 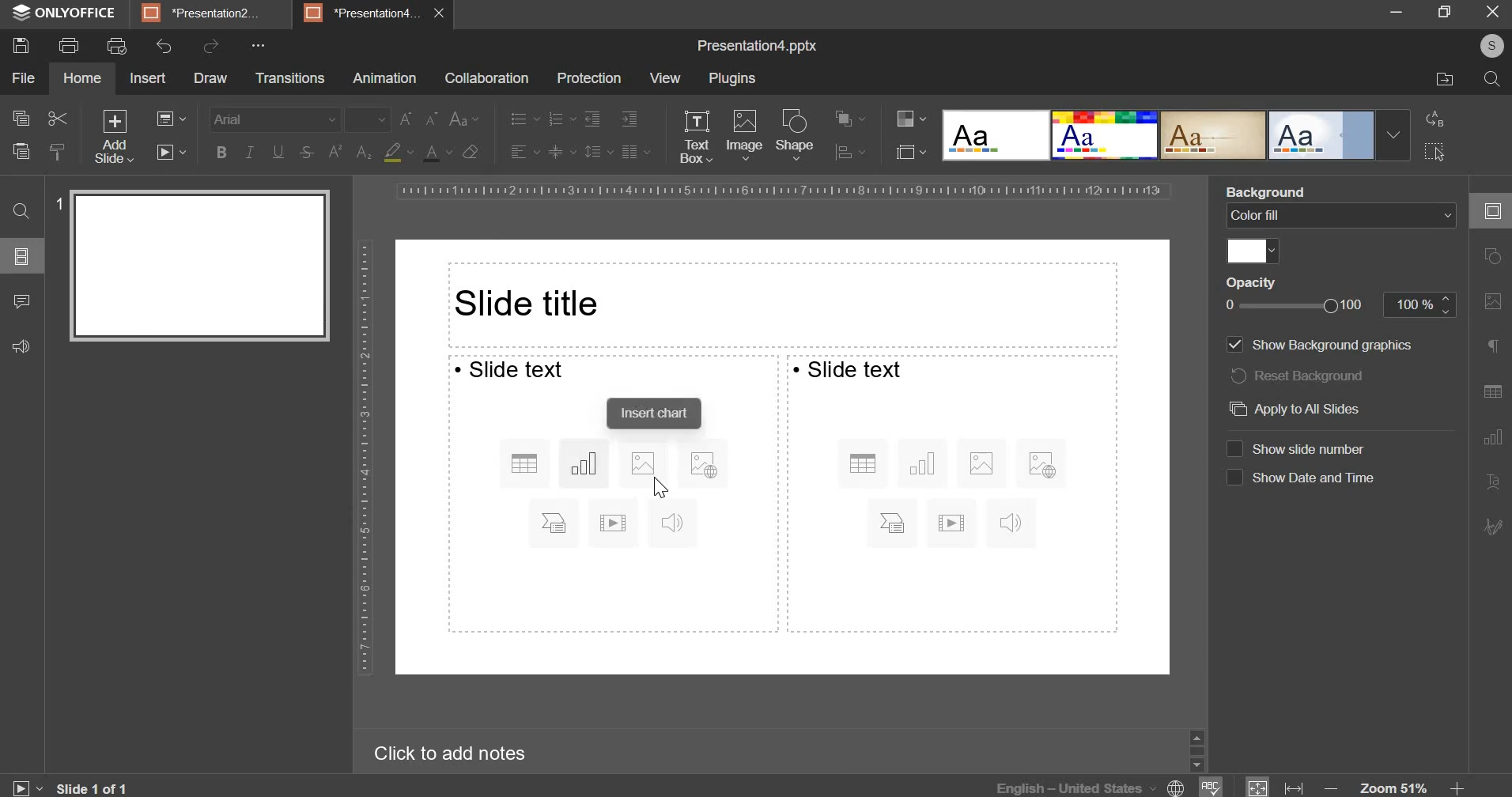 What do you see at coordinates (486, 80) in the screenshot?
I see `collaboration` at bounding box center [486, 80].